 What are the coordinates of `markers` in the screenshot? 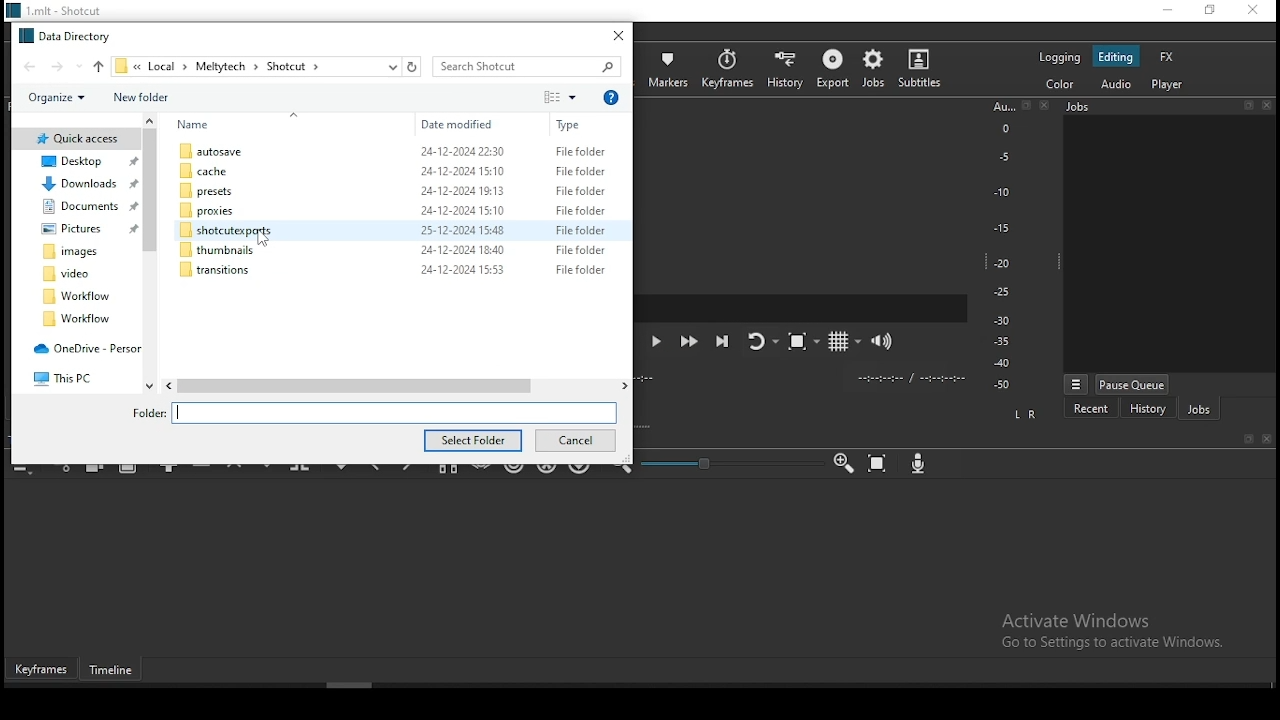 It's located at (671, 69).